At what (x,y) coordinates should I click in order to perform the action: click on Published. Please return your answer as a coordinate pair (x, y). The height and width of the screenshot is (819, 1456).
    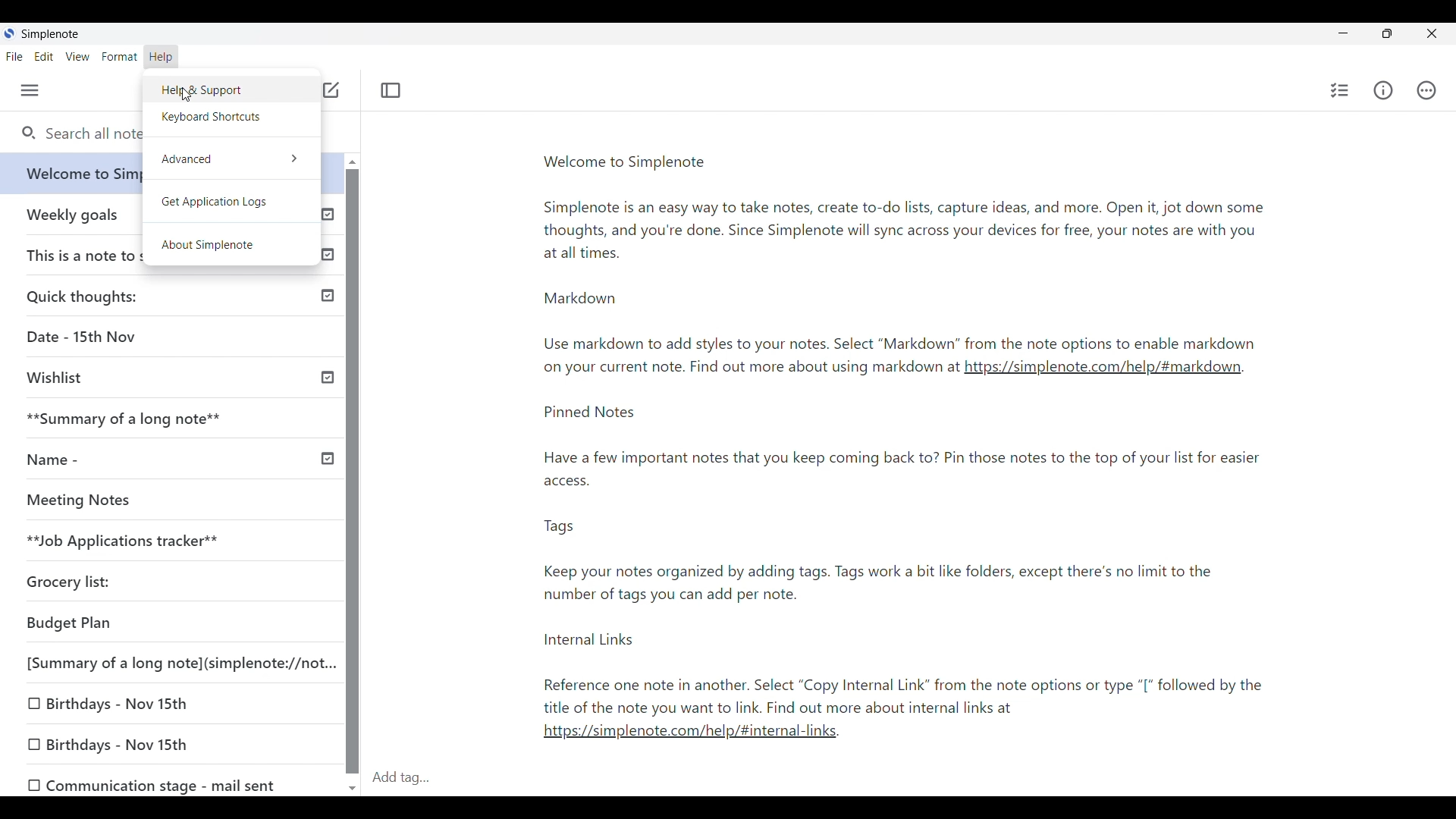
    Looking at the image, I should click on (331, 215).